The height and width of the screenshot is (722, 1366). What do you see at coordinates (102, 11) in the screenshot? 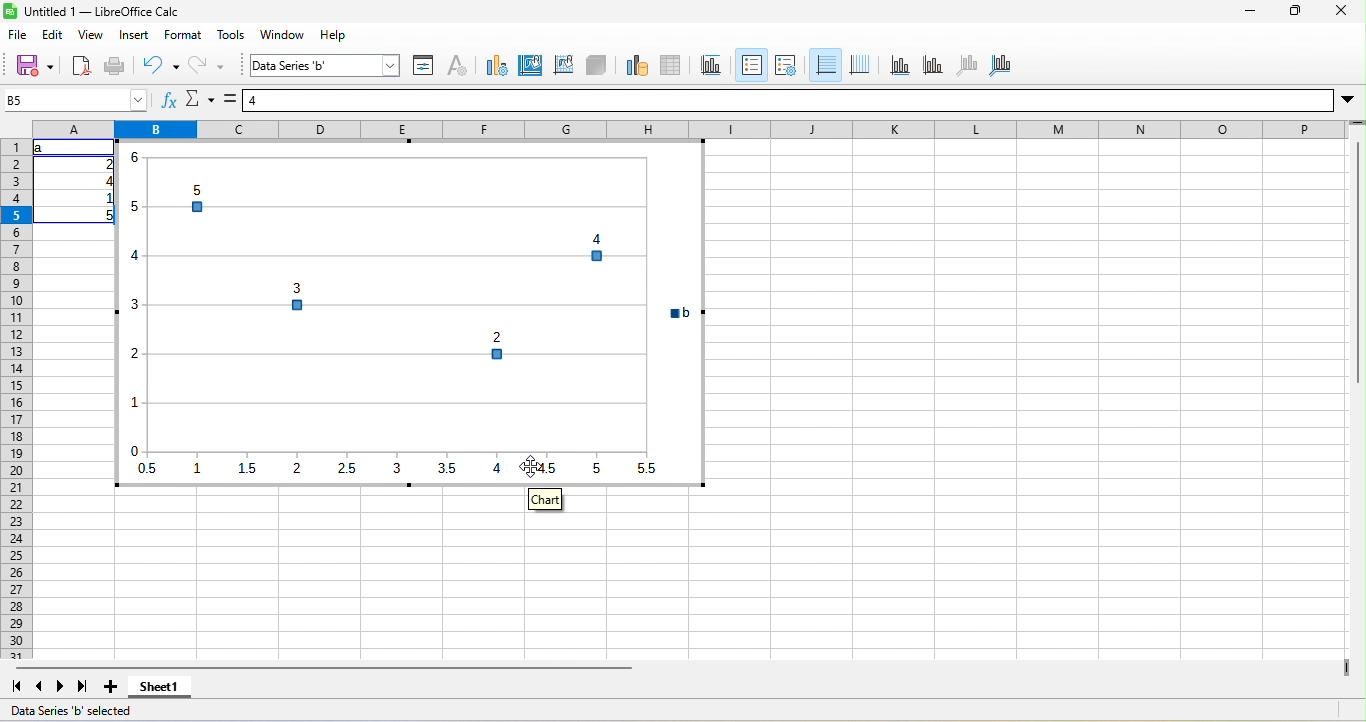
I see `Untitled 1 — LibreOffice Calc` at bounding box center [102, 11].